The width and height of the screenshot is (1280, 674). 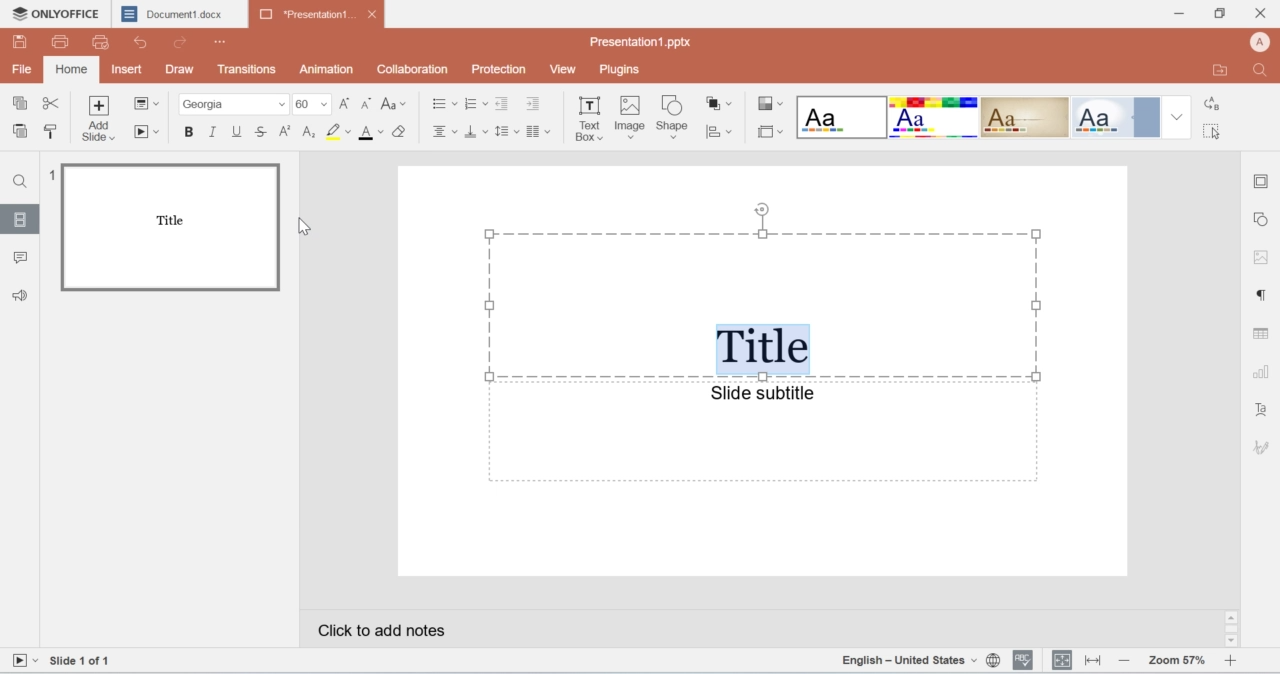 I want to click on comments, so click(x=22, y=258).